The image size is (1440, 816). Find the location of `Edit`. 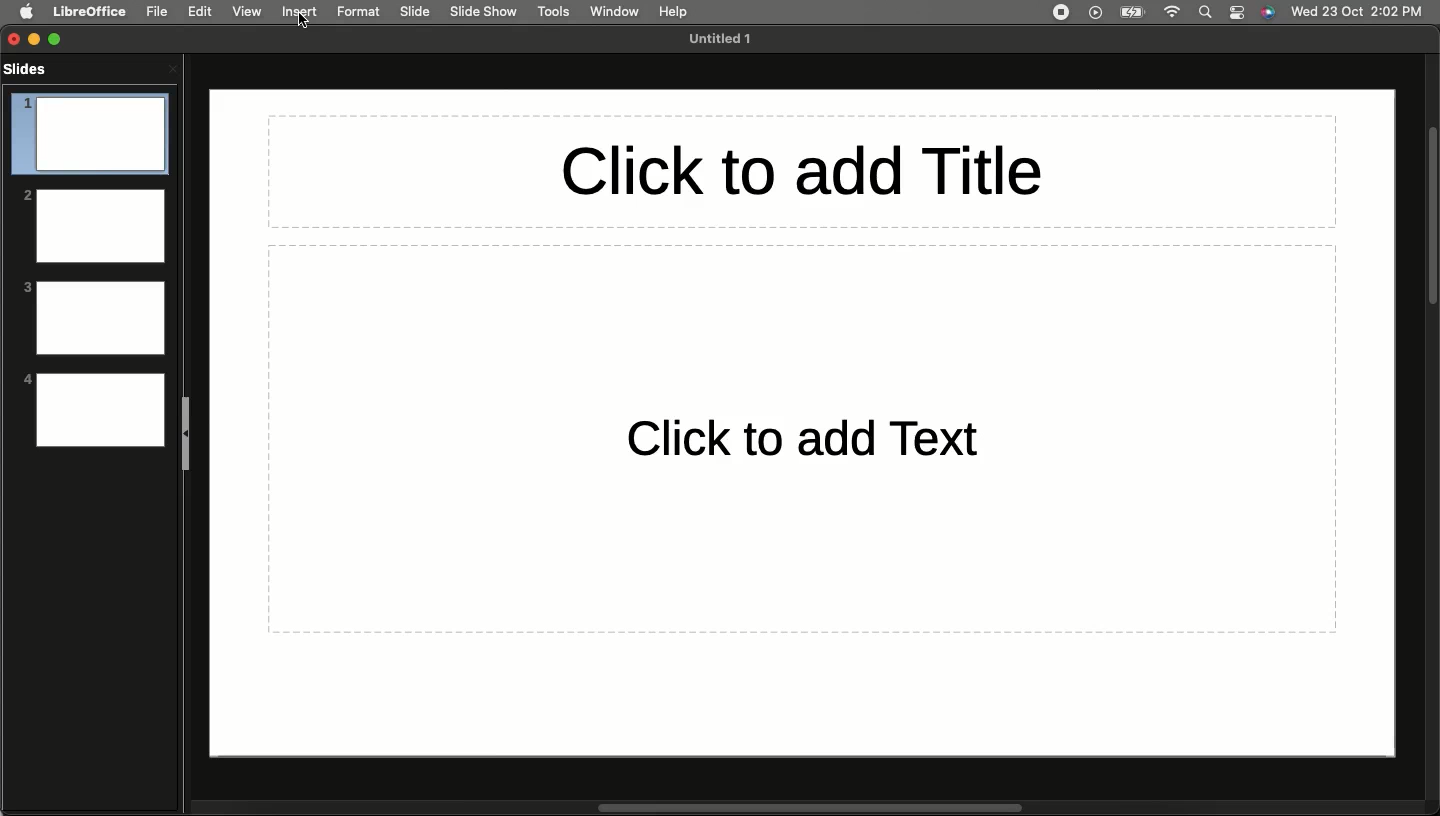

Edit is located at coordinates (199, 12).